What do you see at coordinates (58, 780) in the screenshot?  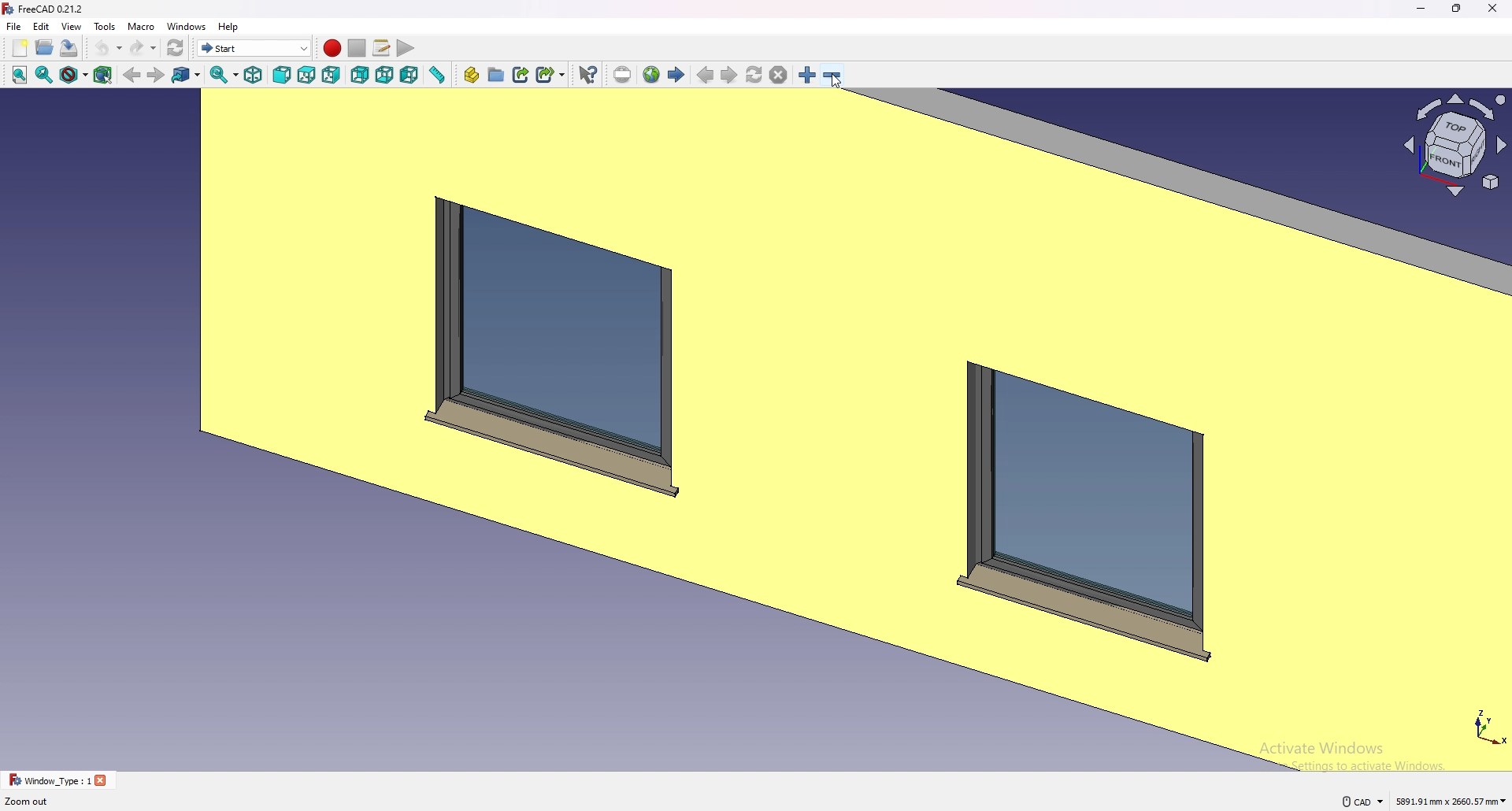 I see `tab 1` at bounding box center [58, 780].